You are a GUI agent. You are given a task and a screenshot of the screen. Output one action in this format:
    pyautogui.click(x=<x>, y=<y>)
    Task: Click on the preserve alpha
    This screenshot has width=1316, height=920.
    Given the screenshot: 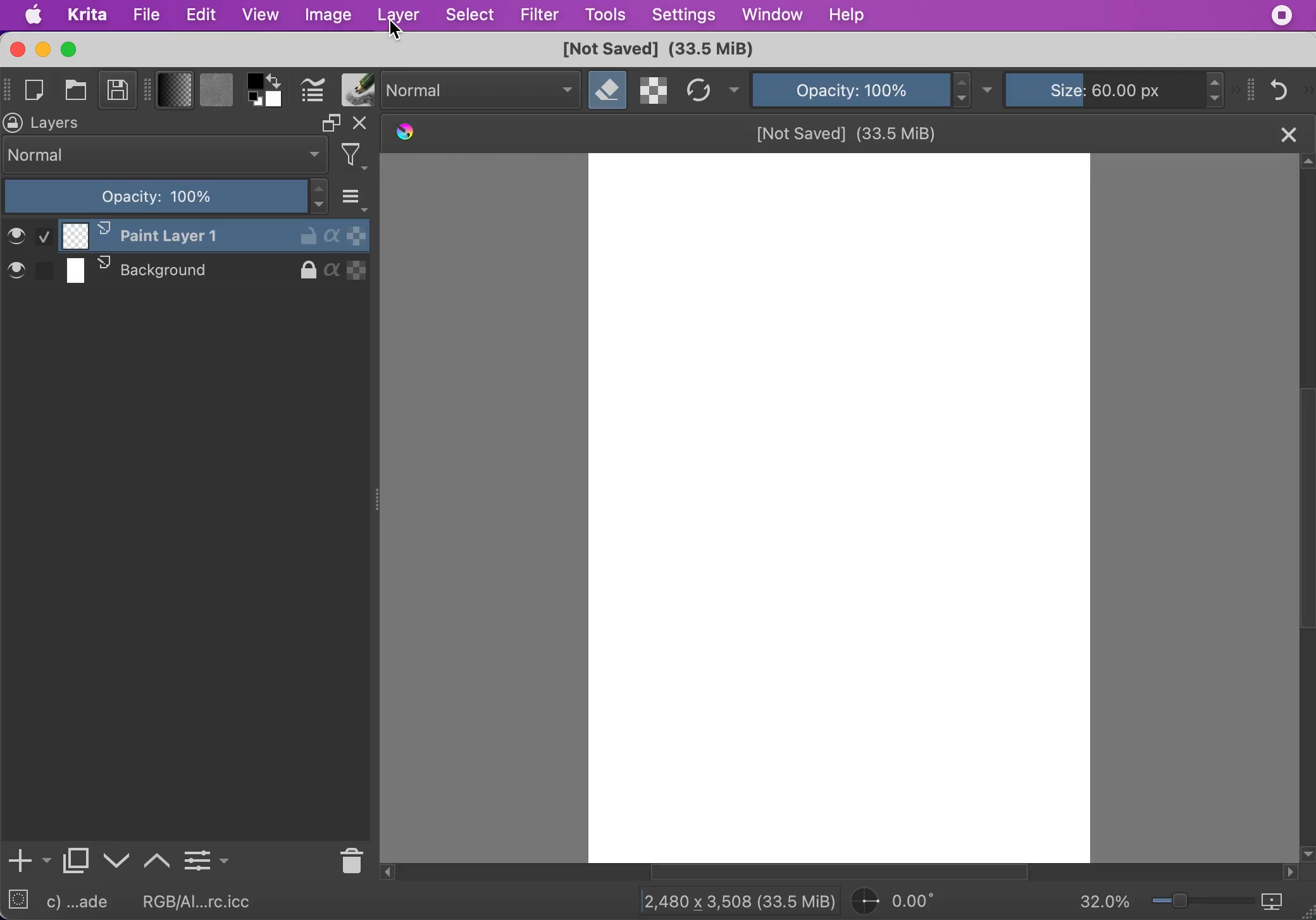 What is the action you would take?
    pyautogui.click(x=655, y=90)
    